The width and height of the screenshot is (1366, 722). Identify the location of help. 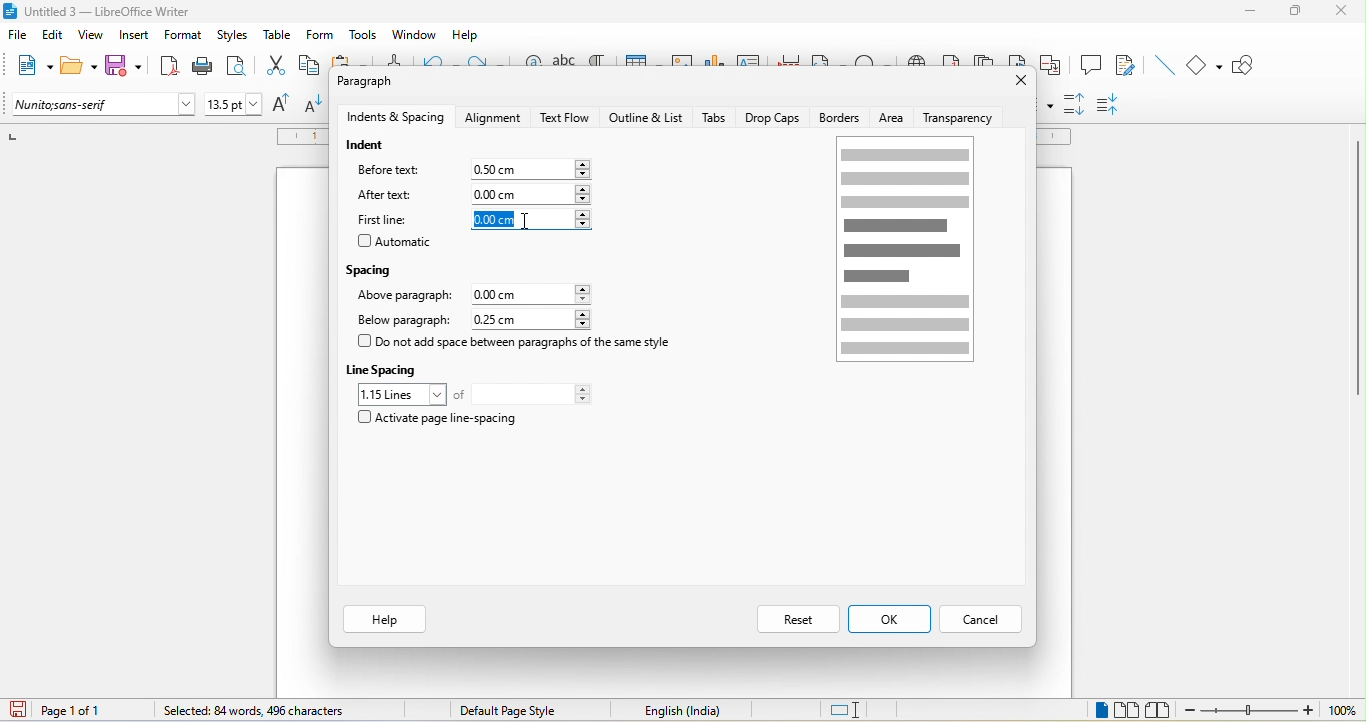
(383, 620).